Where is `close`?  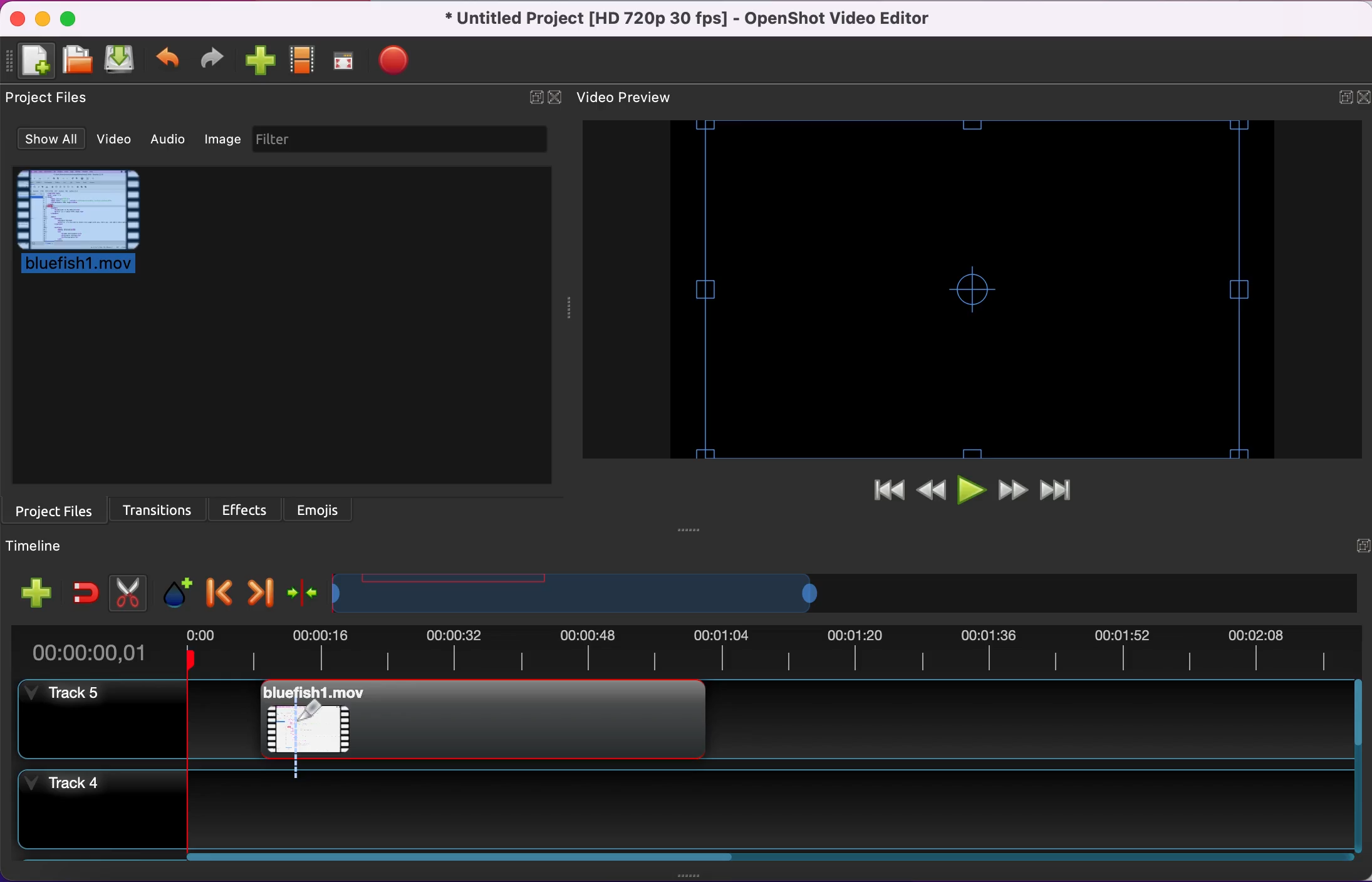
close is located at coordinates (1363, 96).